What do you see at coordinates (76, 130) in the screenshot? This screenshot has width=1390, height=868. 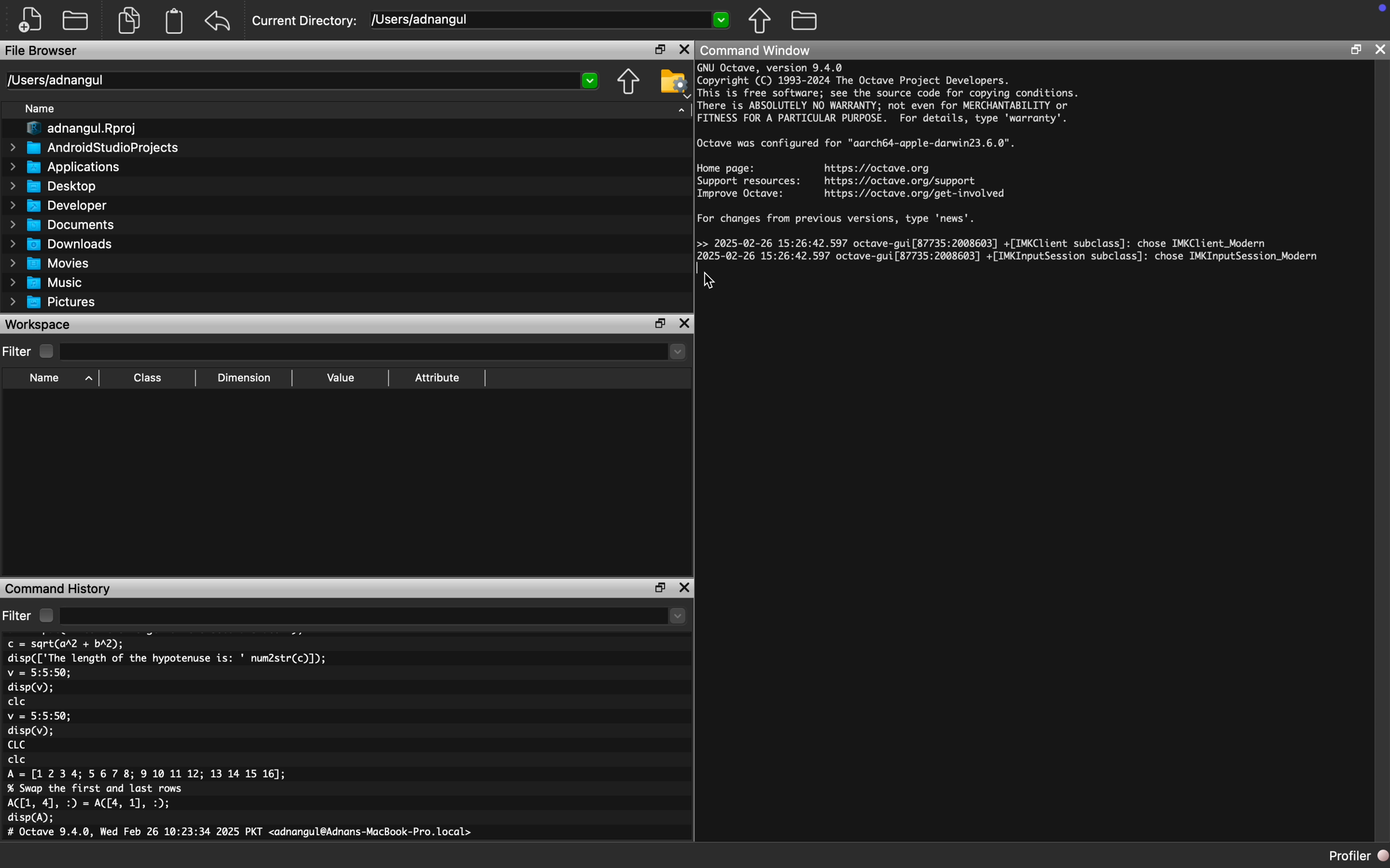 I see `adnangul.Rproj` at bounding box center [76, 130].